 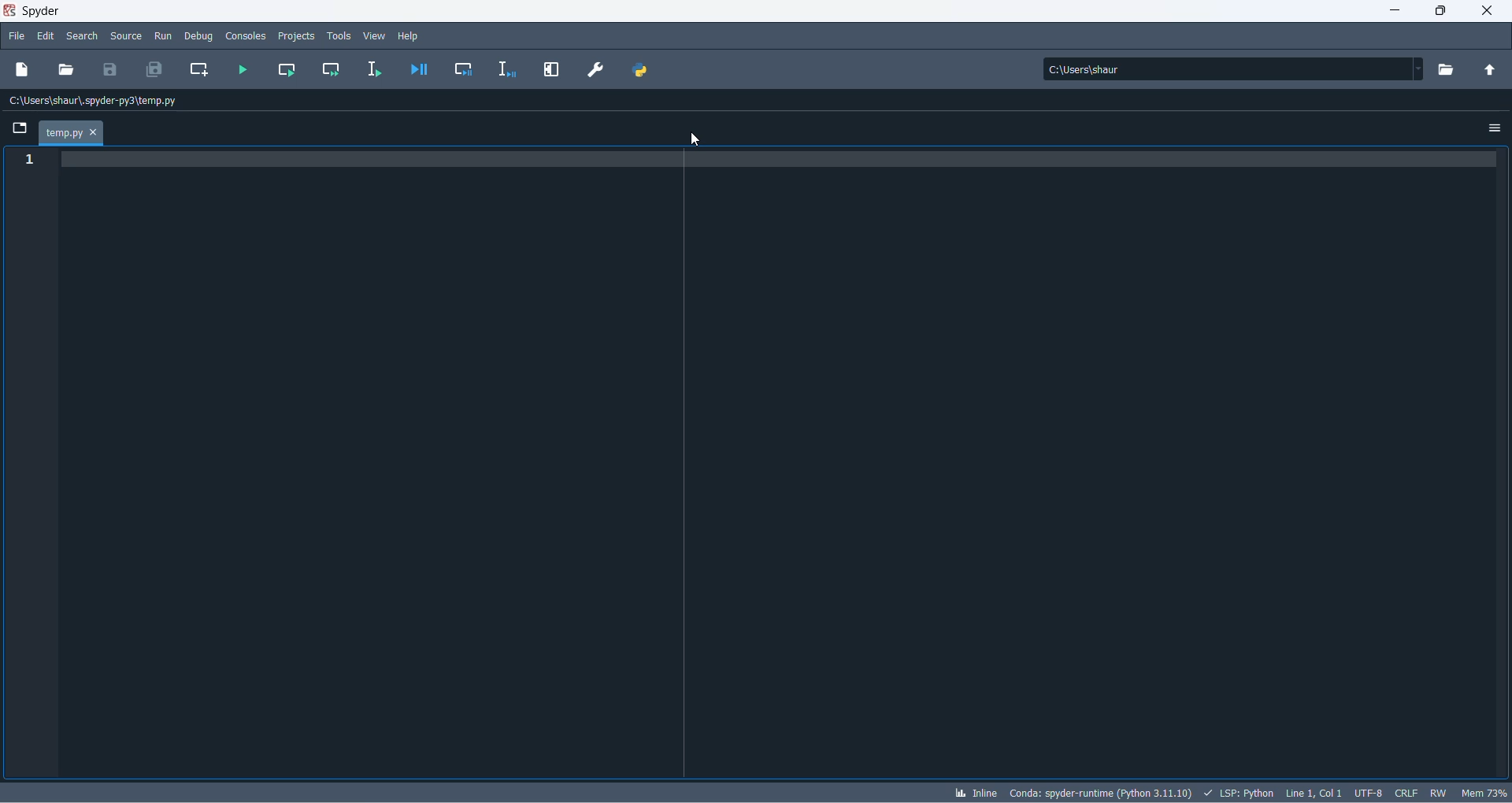 What do you see at coordinates (376, 36) in the screenshot?
I see `view` at bounding box center [376, 36].